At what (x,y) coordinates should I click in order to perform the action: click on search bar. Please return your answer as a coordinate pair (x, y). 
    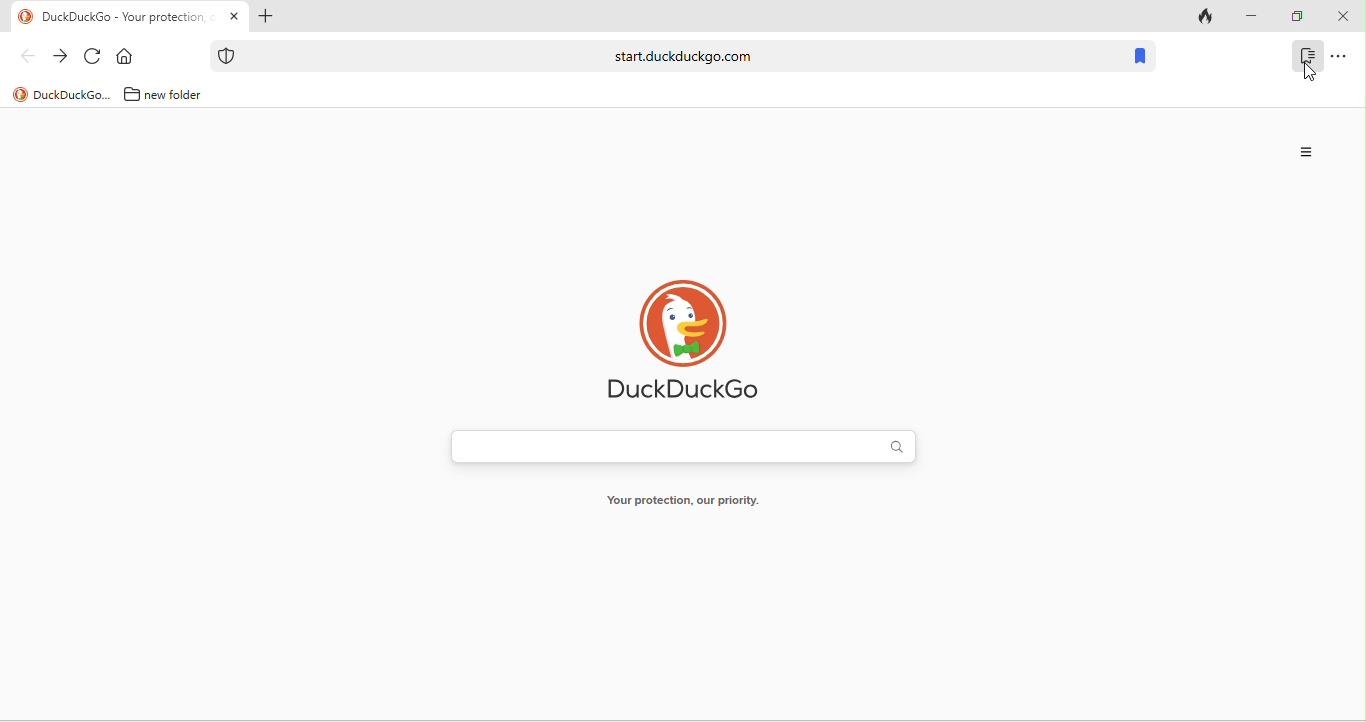
    Looking at the image, I should click on (683, 449).